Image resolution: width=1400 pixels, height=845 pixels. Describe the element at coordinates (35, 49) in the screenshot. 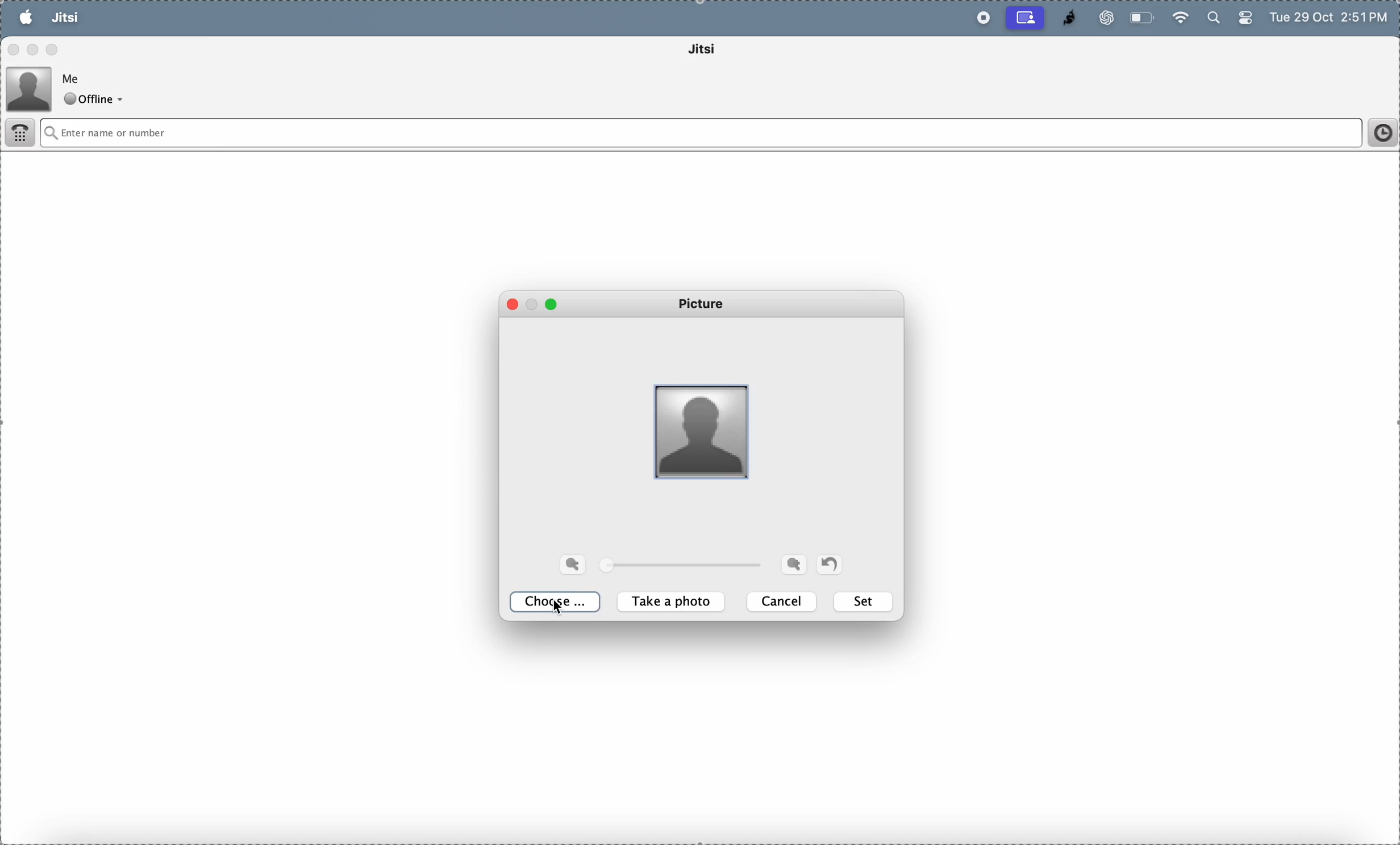

I see `minimize` at that location.